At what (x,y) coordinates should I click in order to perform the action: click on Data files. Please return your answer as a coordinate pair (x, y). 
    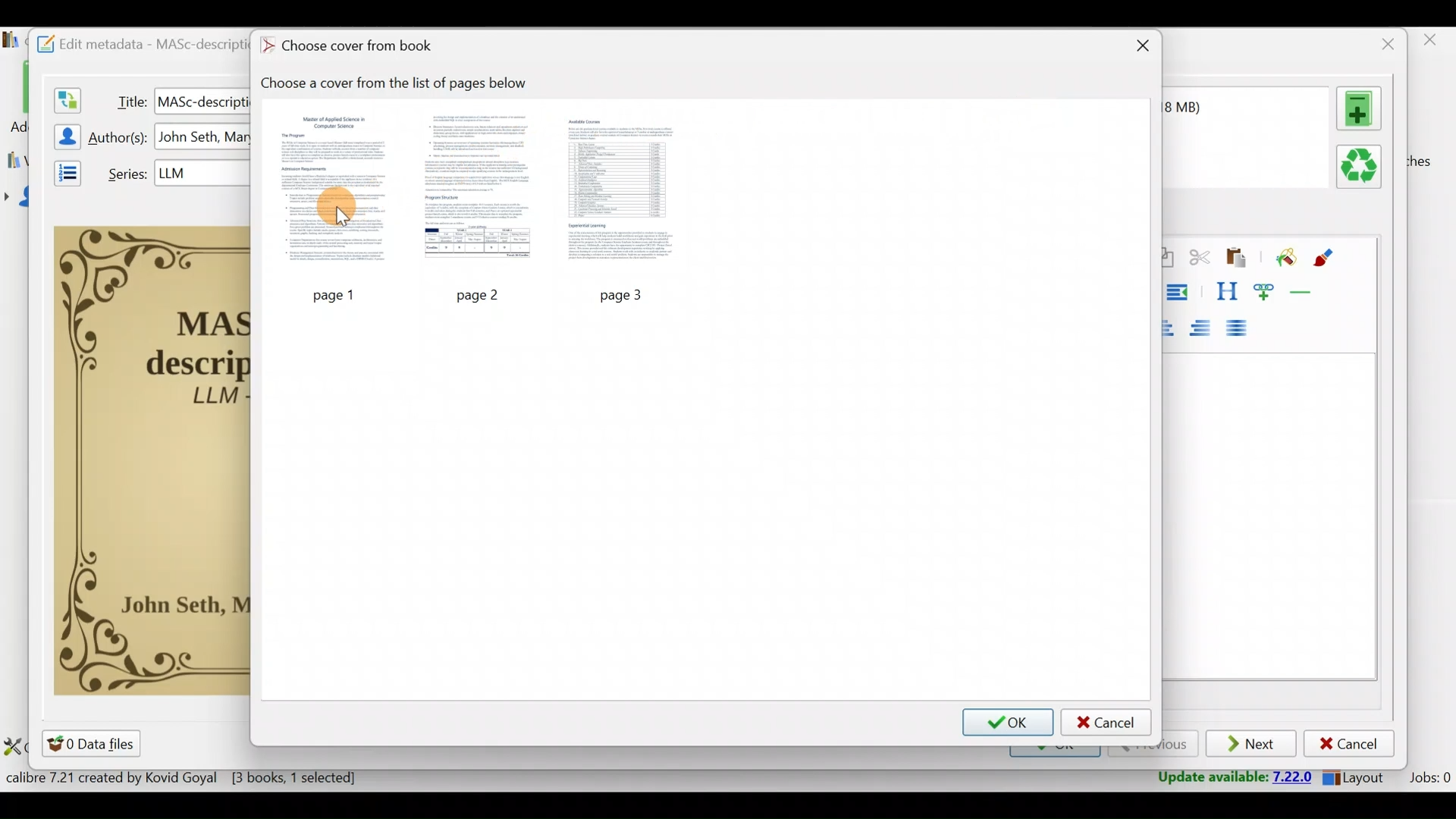
    Looking at the image, I should click on (94, 743).